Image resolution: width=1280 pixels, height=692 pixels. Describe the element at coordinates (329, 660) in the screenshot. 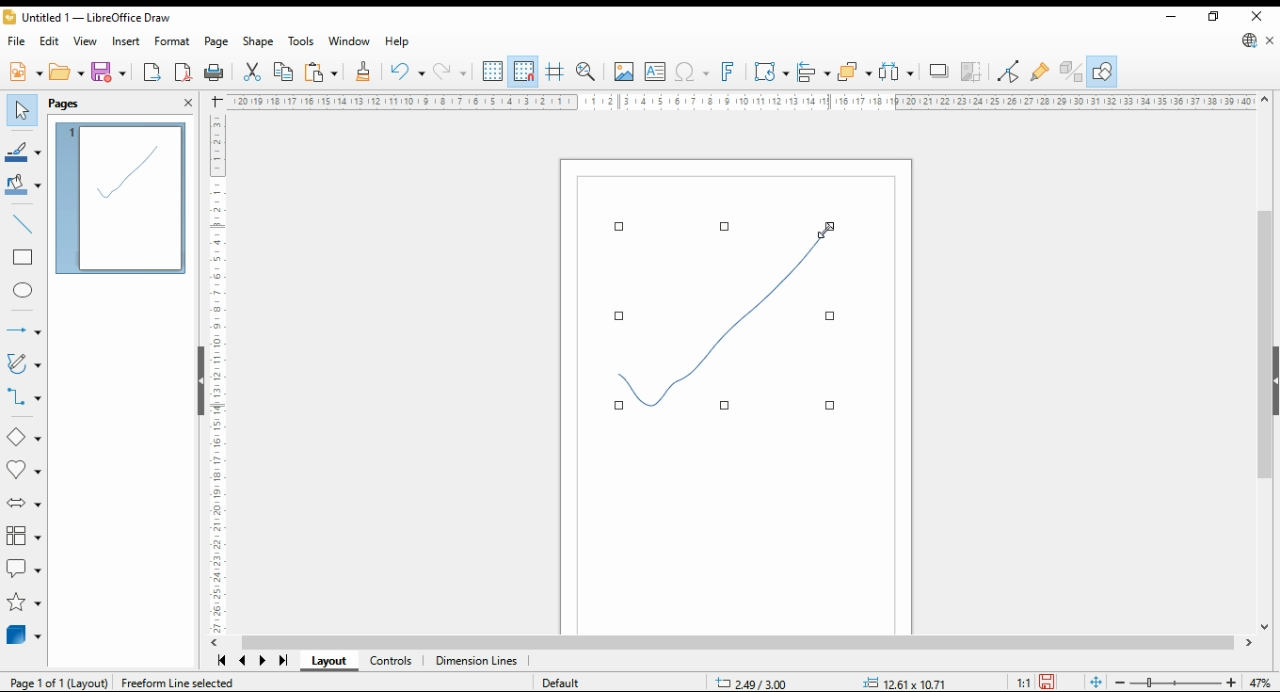

I see `layout` at that location.